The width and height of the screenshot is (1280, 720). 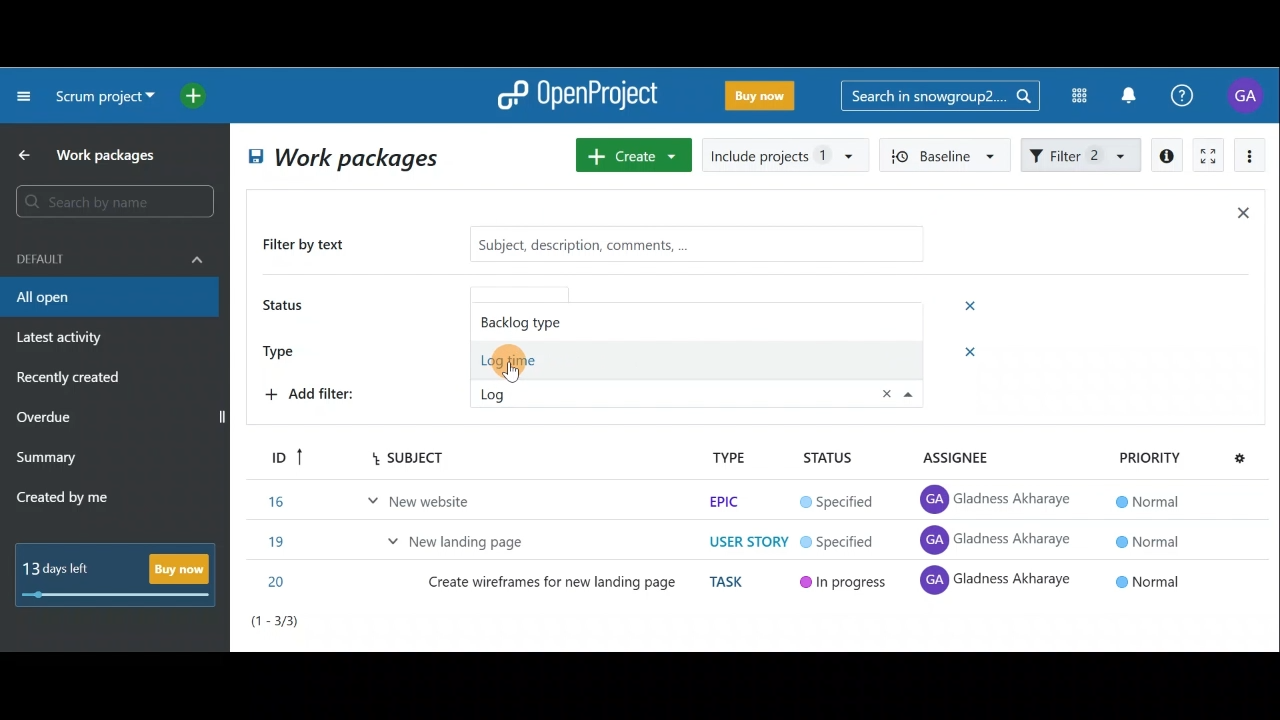 I want to click on Default, so click(x=110, y=257).